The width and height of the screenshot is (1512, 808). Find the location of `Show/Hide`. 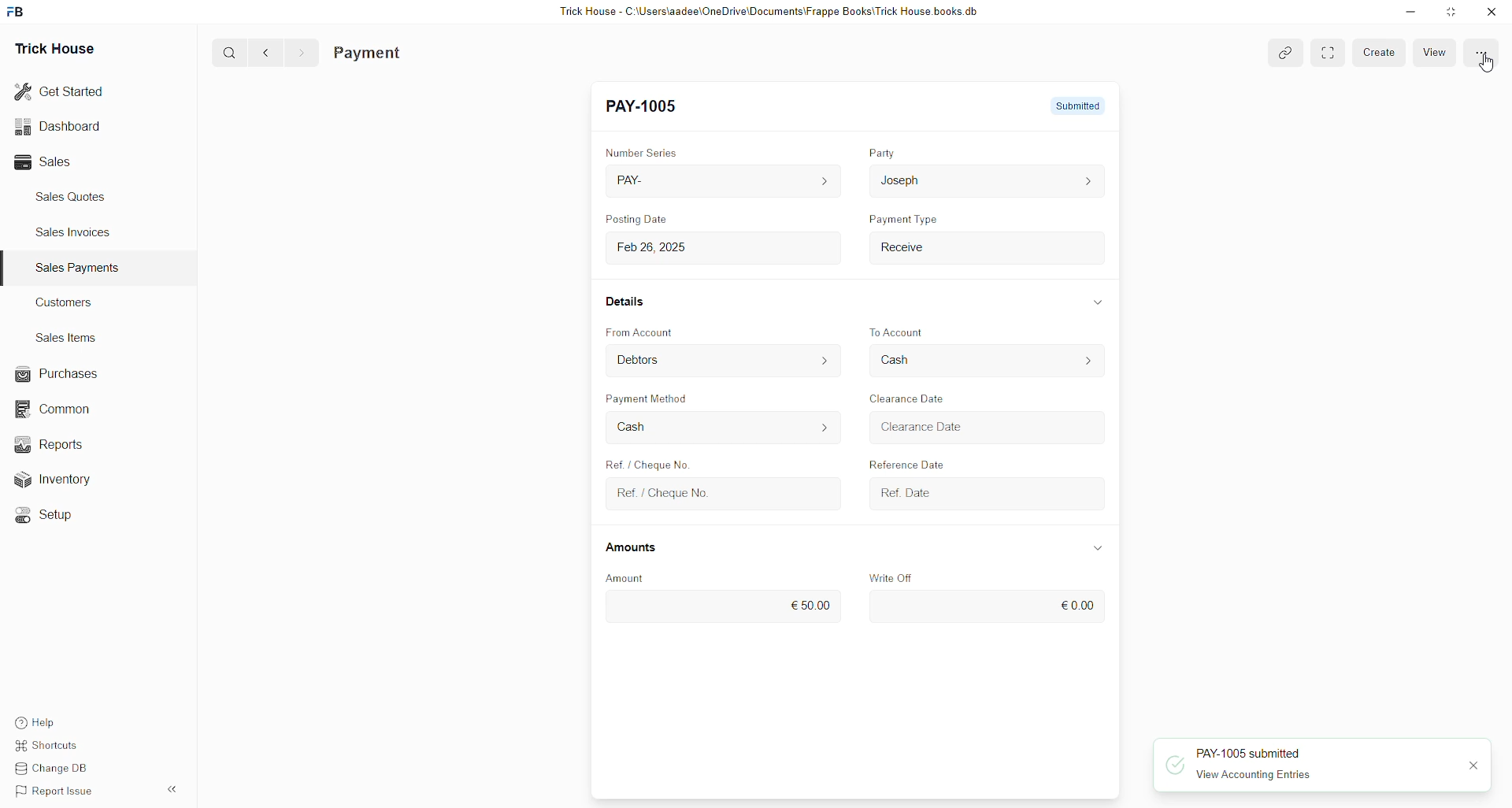

Show/Hide is located at coordinates (1091, 302).